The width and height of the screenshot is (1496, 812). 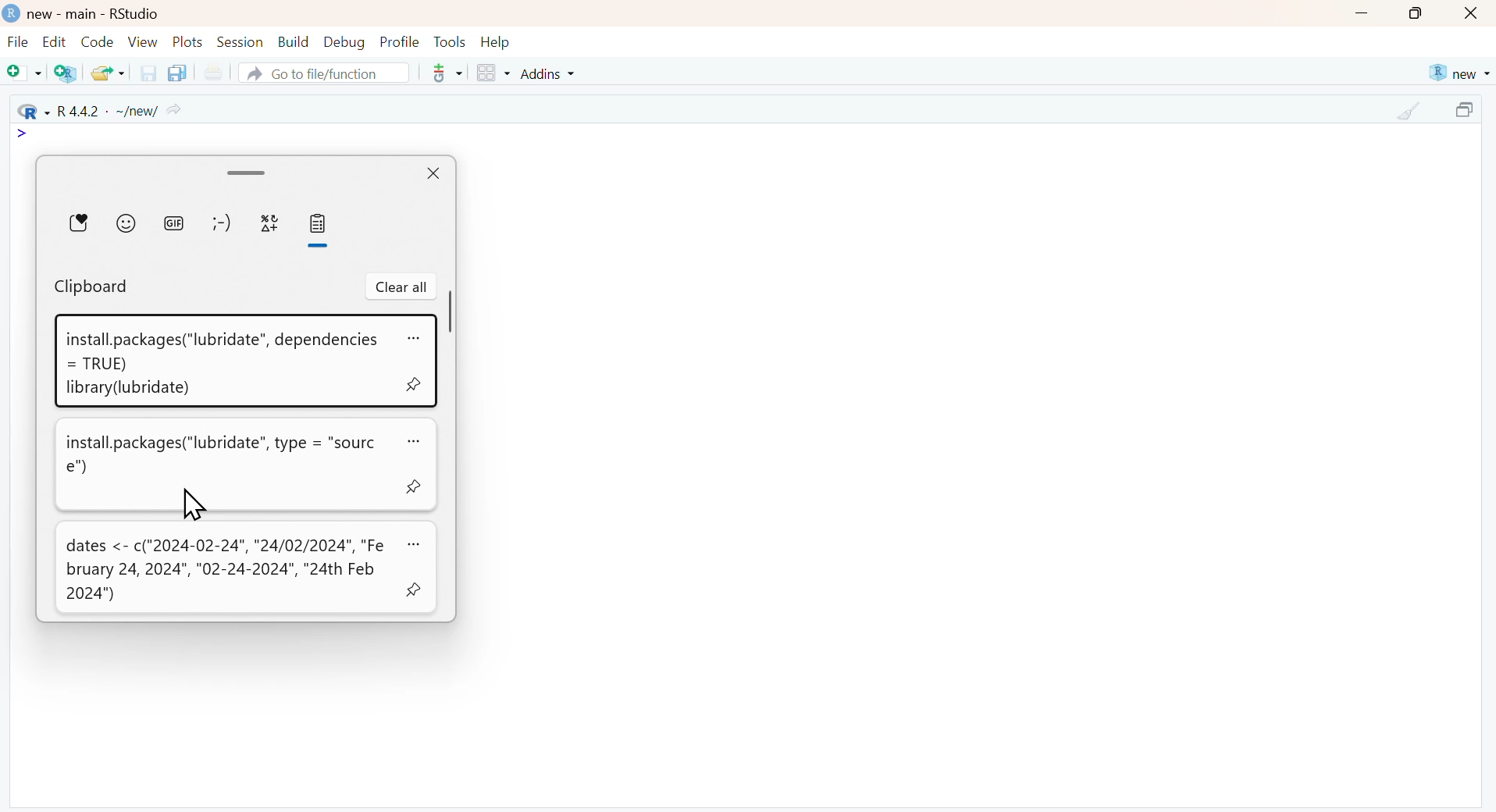 I want to click on more options, so click(x=412, y=543).